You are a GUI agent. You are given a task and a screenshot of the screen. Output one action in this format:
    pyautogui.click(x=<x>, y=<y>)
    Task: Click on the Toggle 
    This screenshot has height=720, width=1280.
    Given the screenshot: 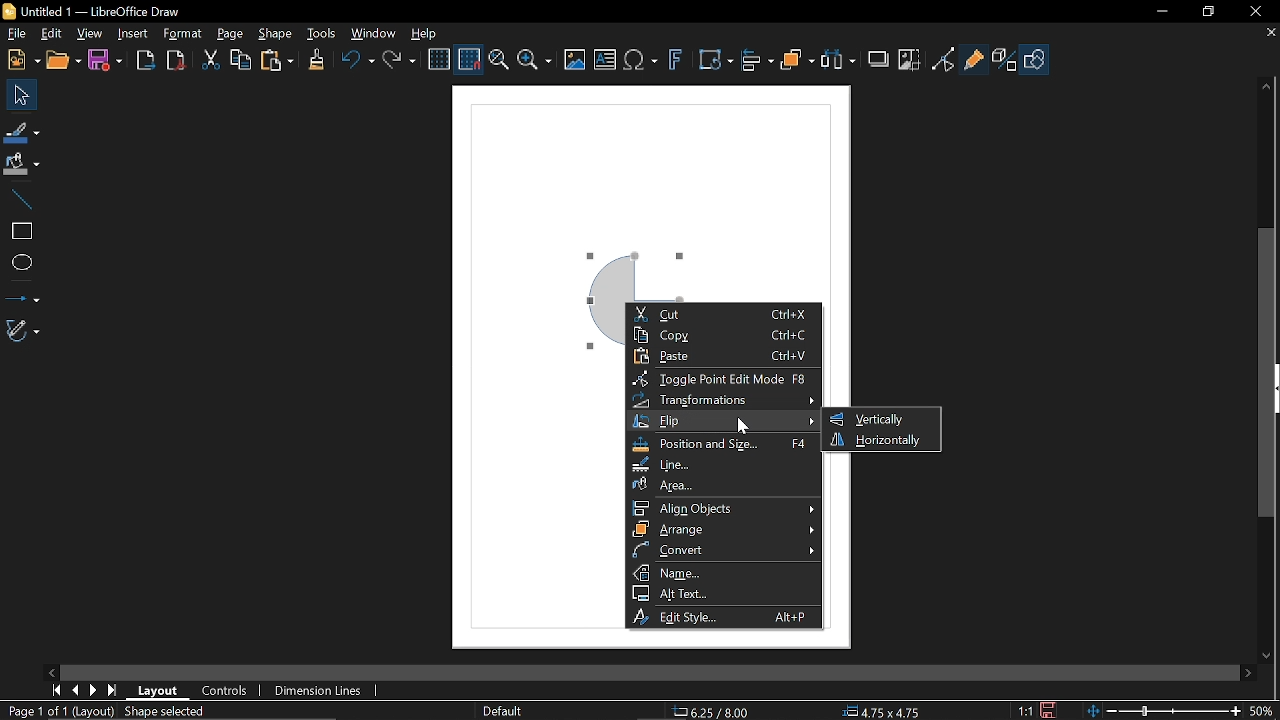 What is the action you would take?
    pyautogui.click(x=945, y=60)
    